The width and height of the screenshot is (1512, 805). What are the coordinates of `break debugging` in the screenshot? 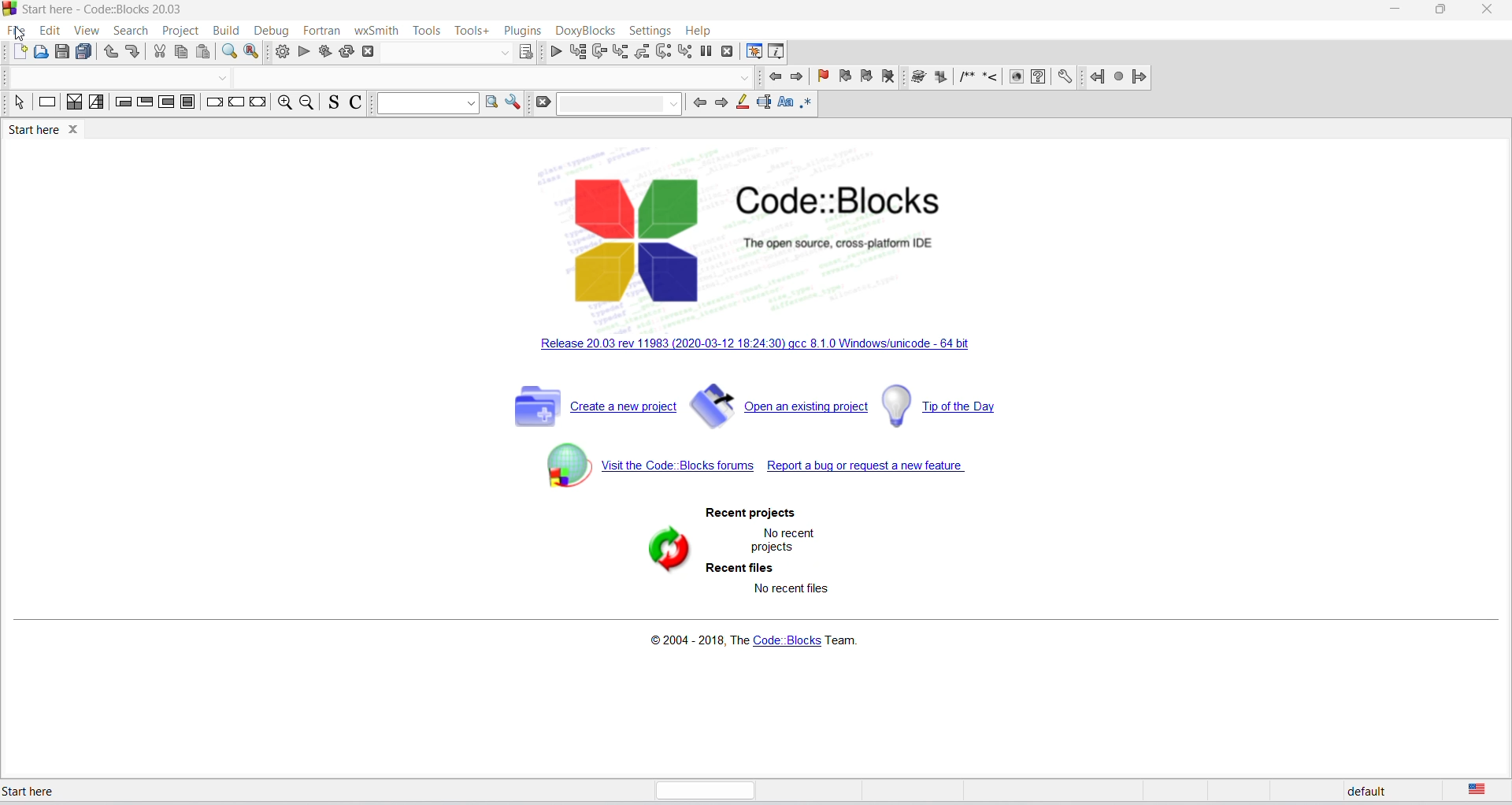 It's located at (706, 52).